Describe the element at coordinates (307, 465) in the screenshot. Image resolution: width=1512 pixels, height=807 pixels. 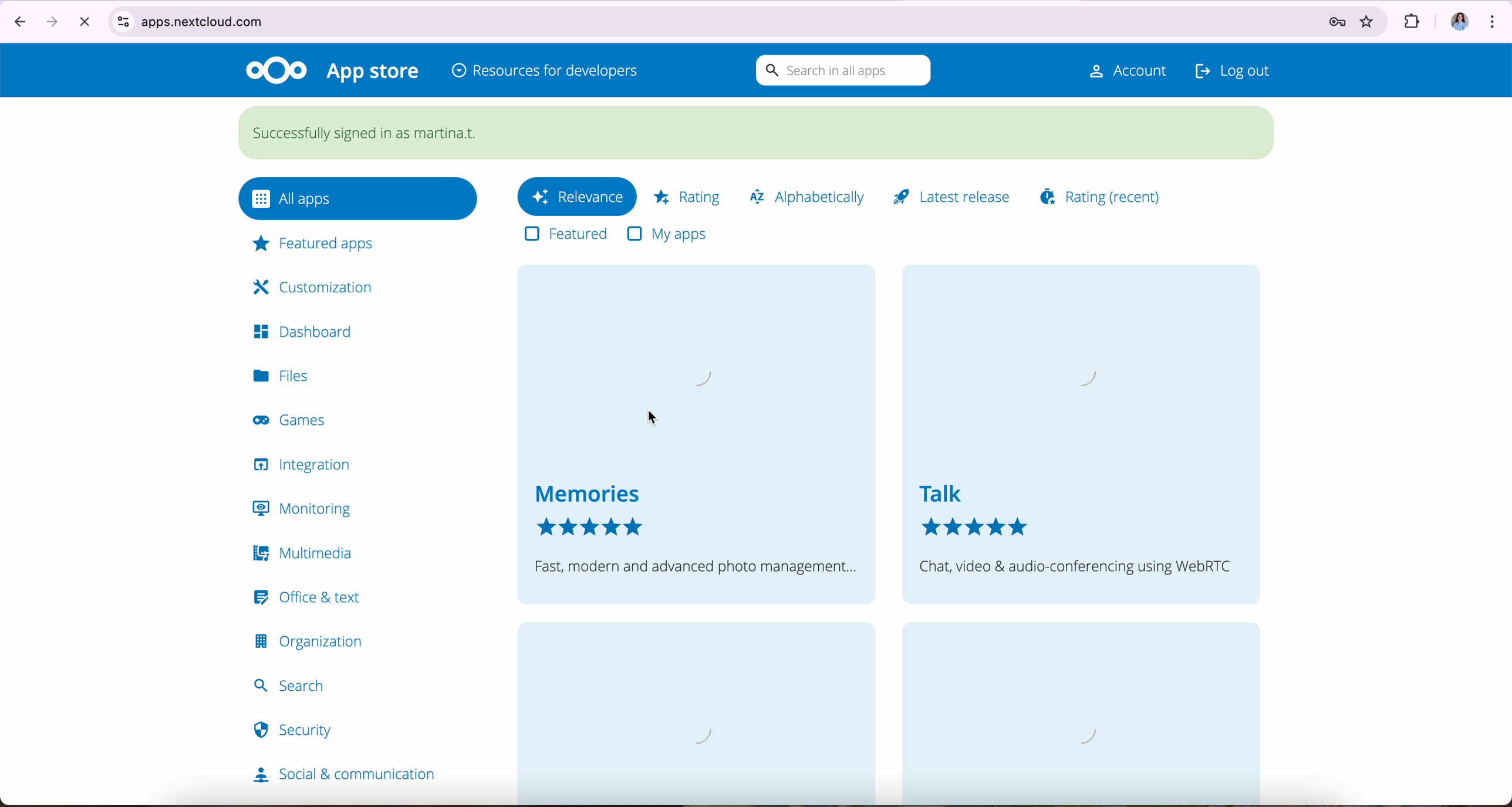
I see `integration` at that location.